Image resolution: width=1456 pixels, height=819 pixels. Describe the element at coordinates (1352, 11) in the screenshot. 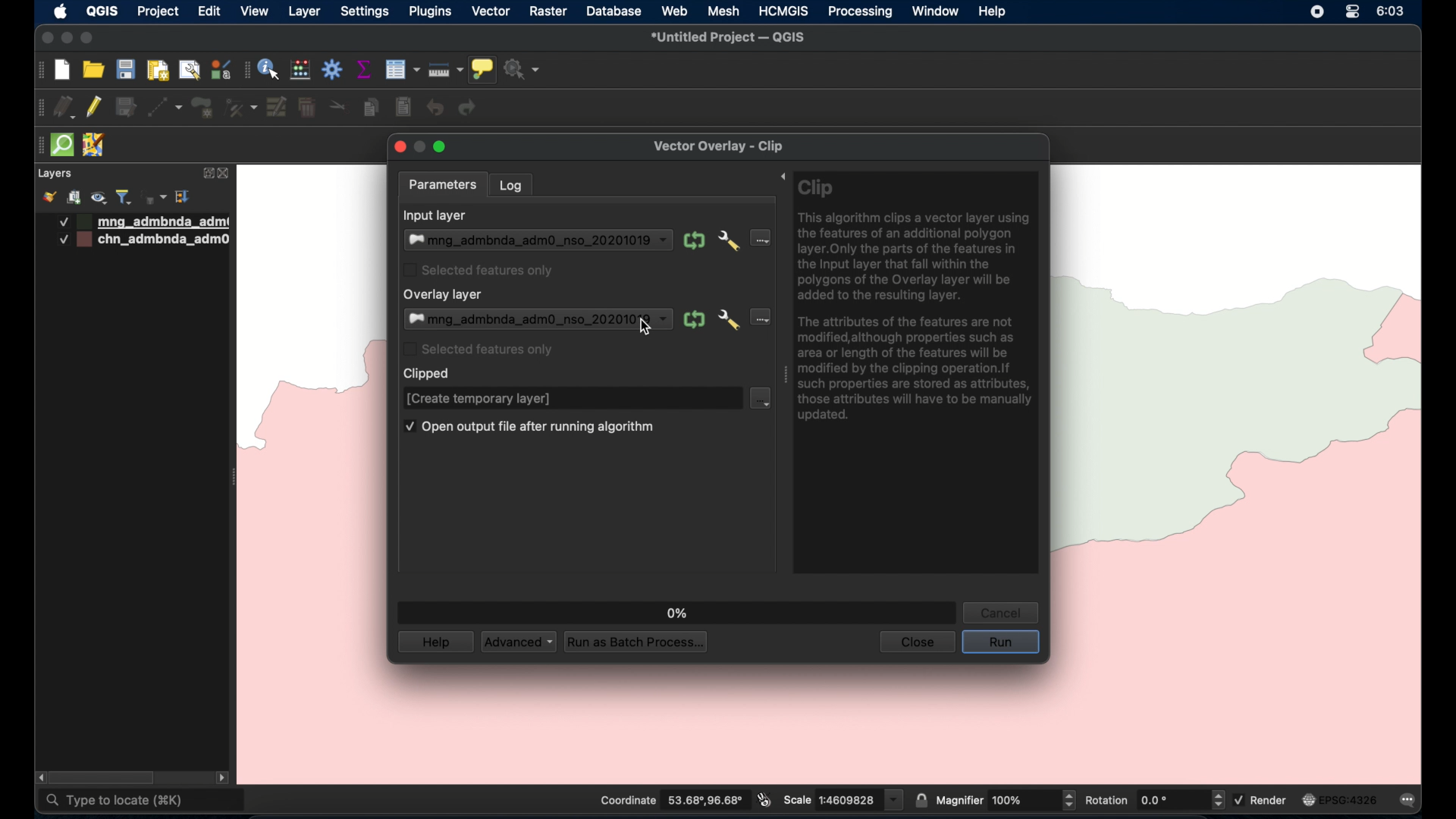

I see `control center` at that location.